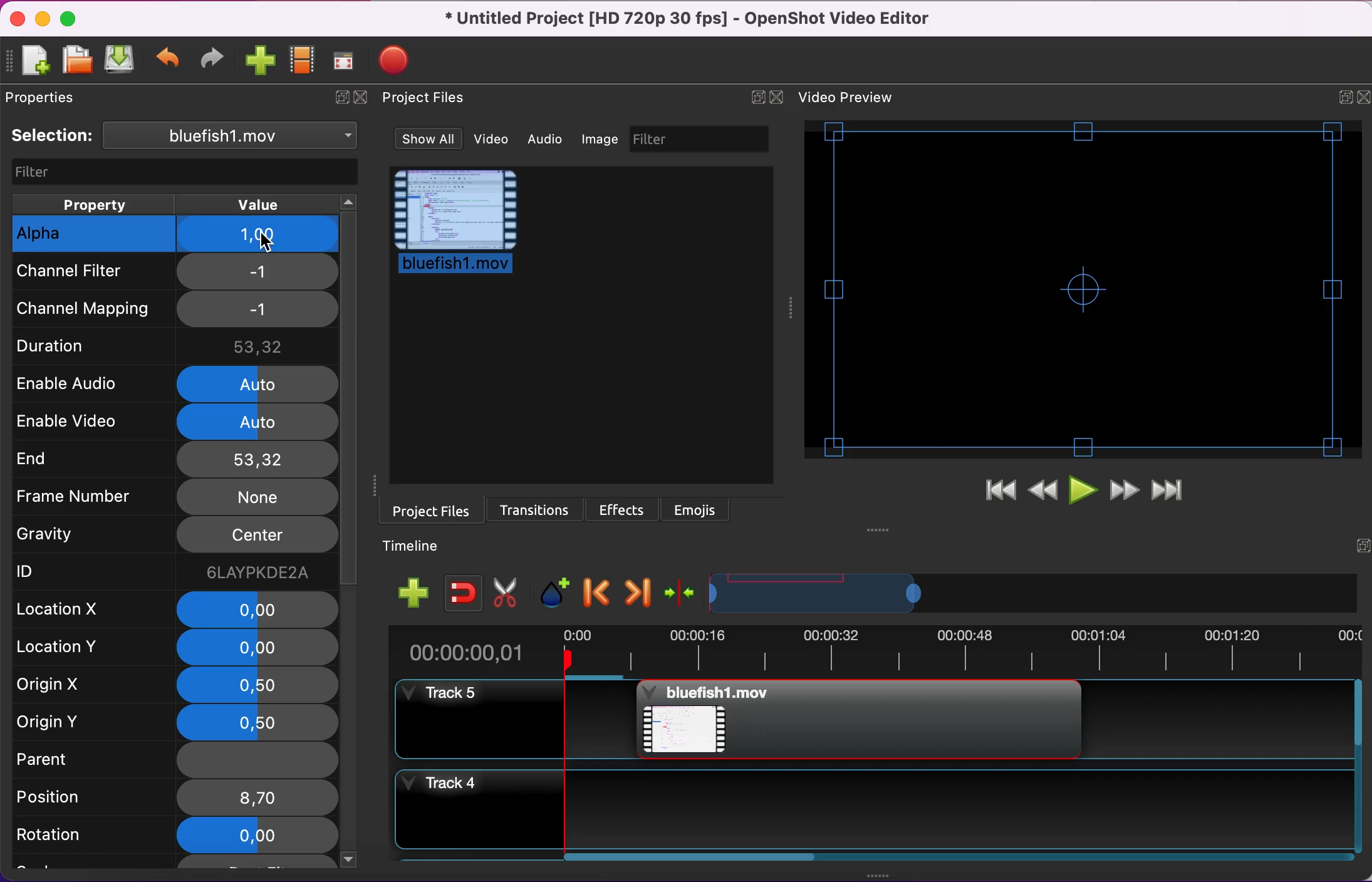  Describe the element at coordinates (558, 593) in the screenshot. I see `add marker` at that location.